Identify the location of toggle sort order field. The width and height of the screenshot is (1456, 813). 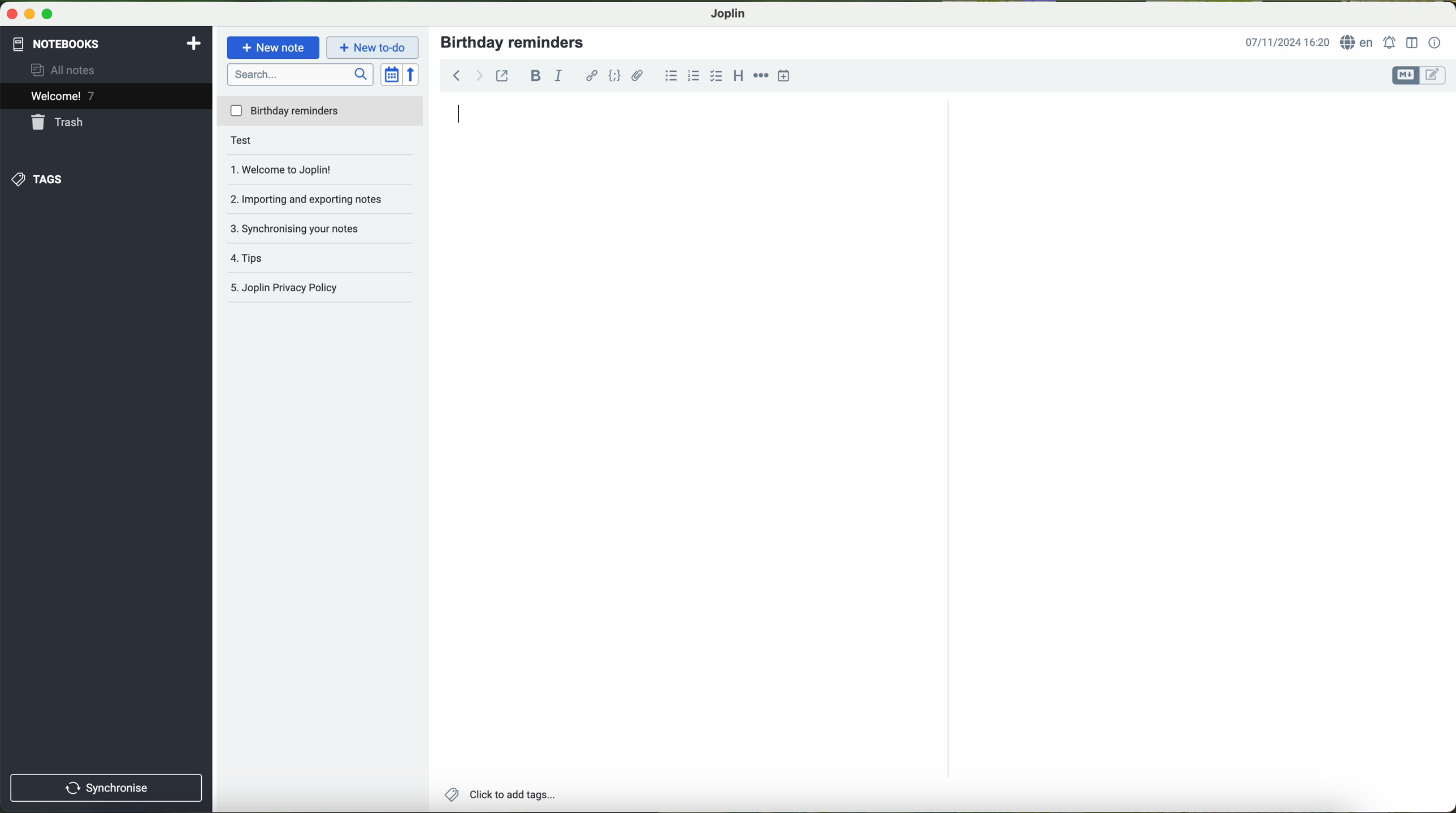
(391, 74).